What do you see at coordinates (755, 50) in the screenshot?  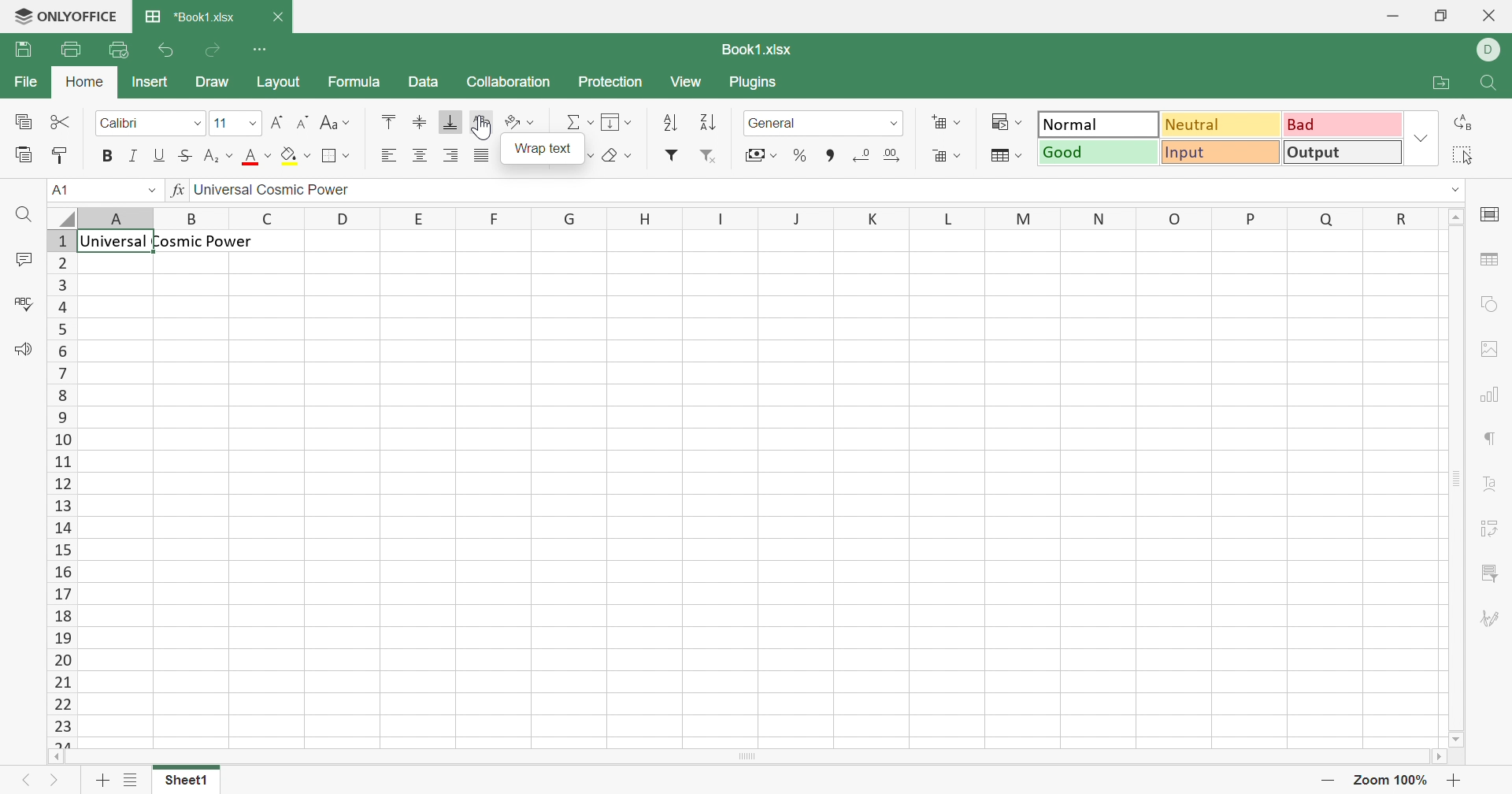 I see `Book1.xlsx` at bounding box center [755, 50].